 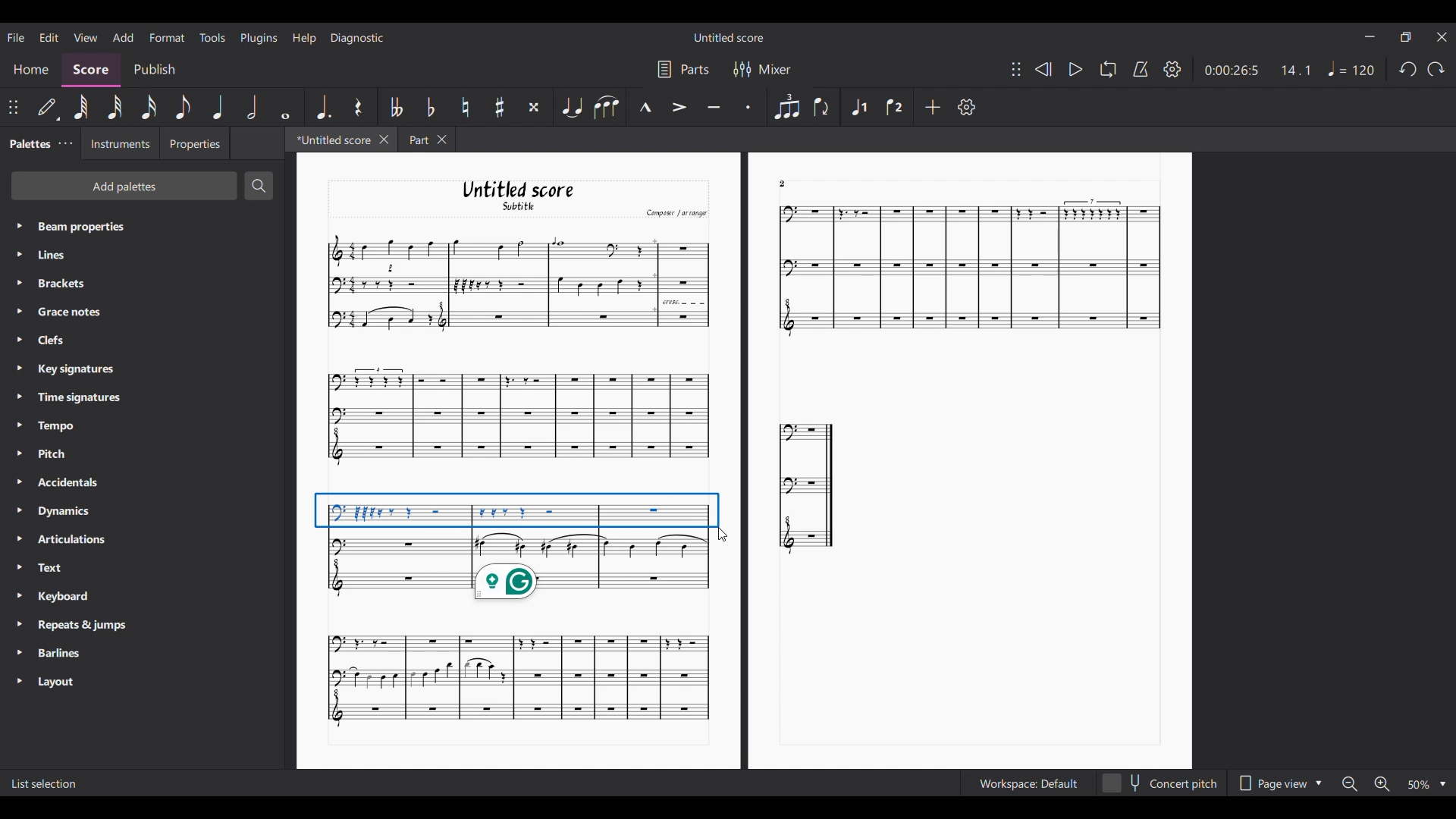 What do you see at coordinates (506, 582) in the screenshot?
I see `Grammarly extension` at bounding box center [506, 582].